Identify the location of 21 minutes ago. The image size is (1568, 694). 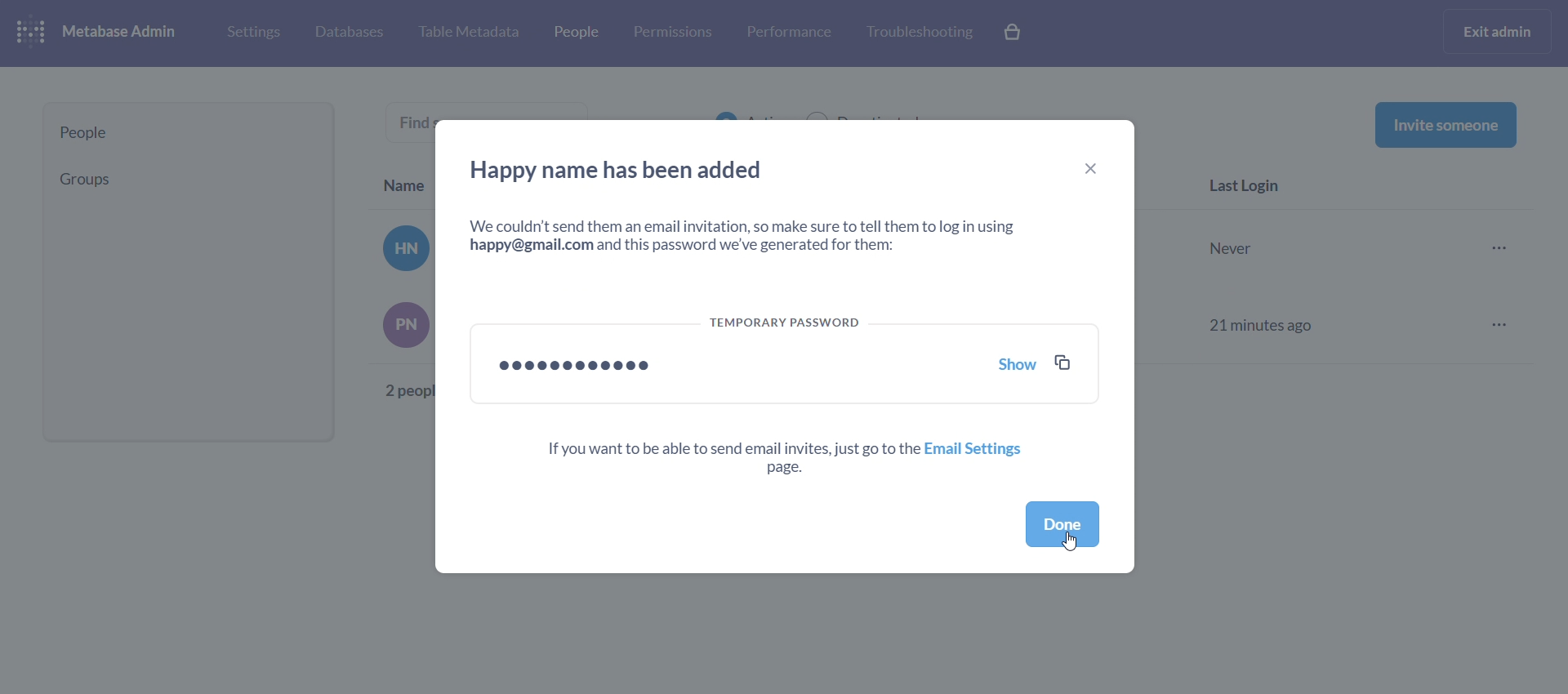
(1259, 324).